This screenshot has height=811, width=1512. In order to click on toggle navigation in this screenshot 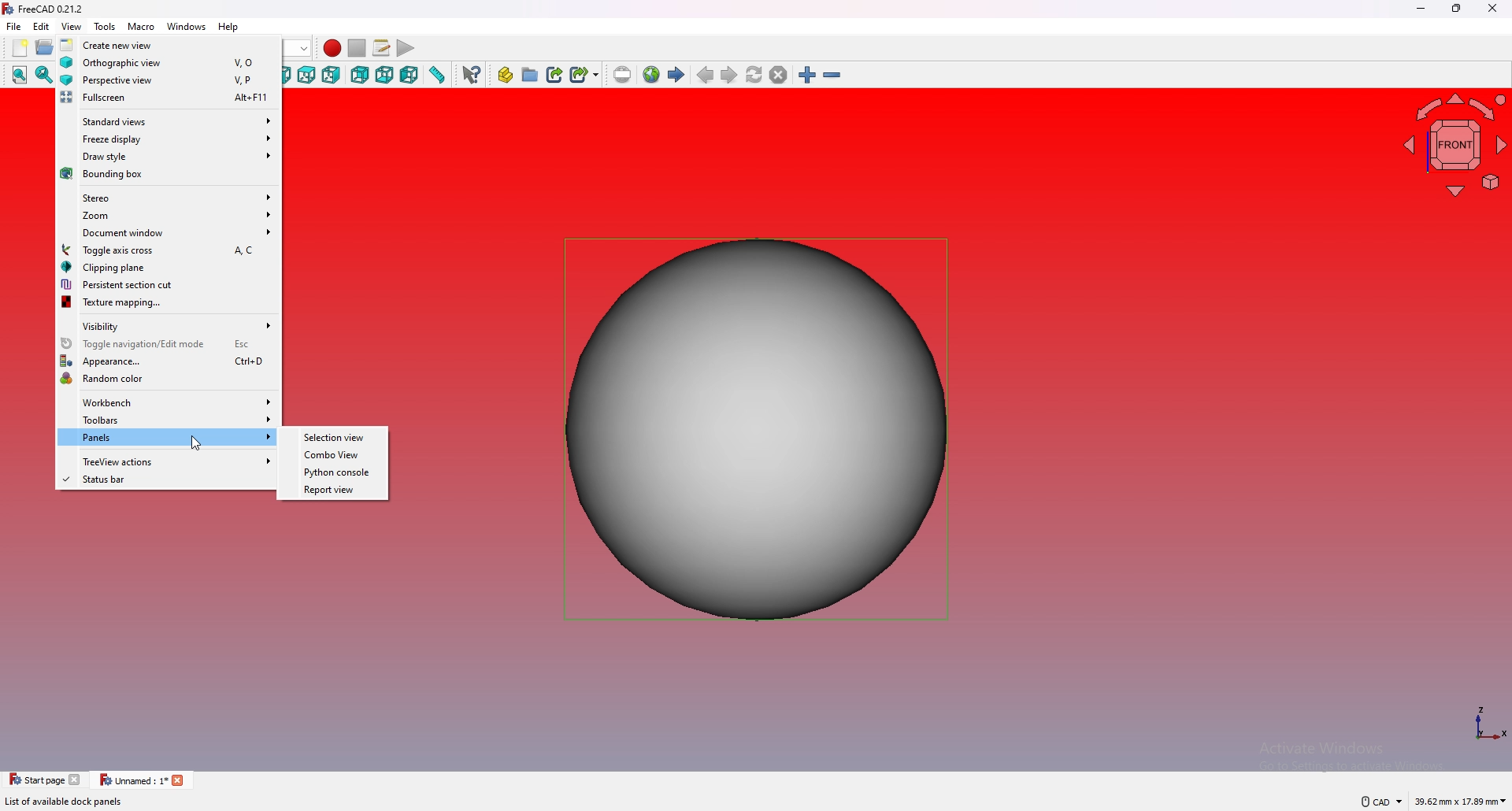, I will do `click(168, 343)`.